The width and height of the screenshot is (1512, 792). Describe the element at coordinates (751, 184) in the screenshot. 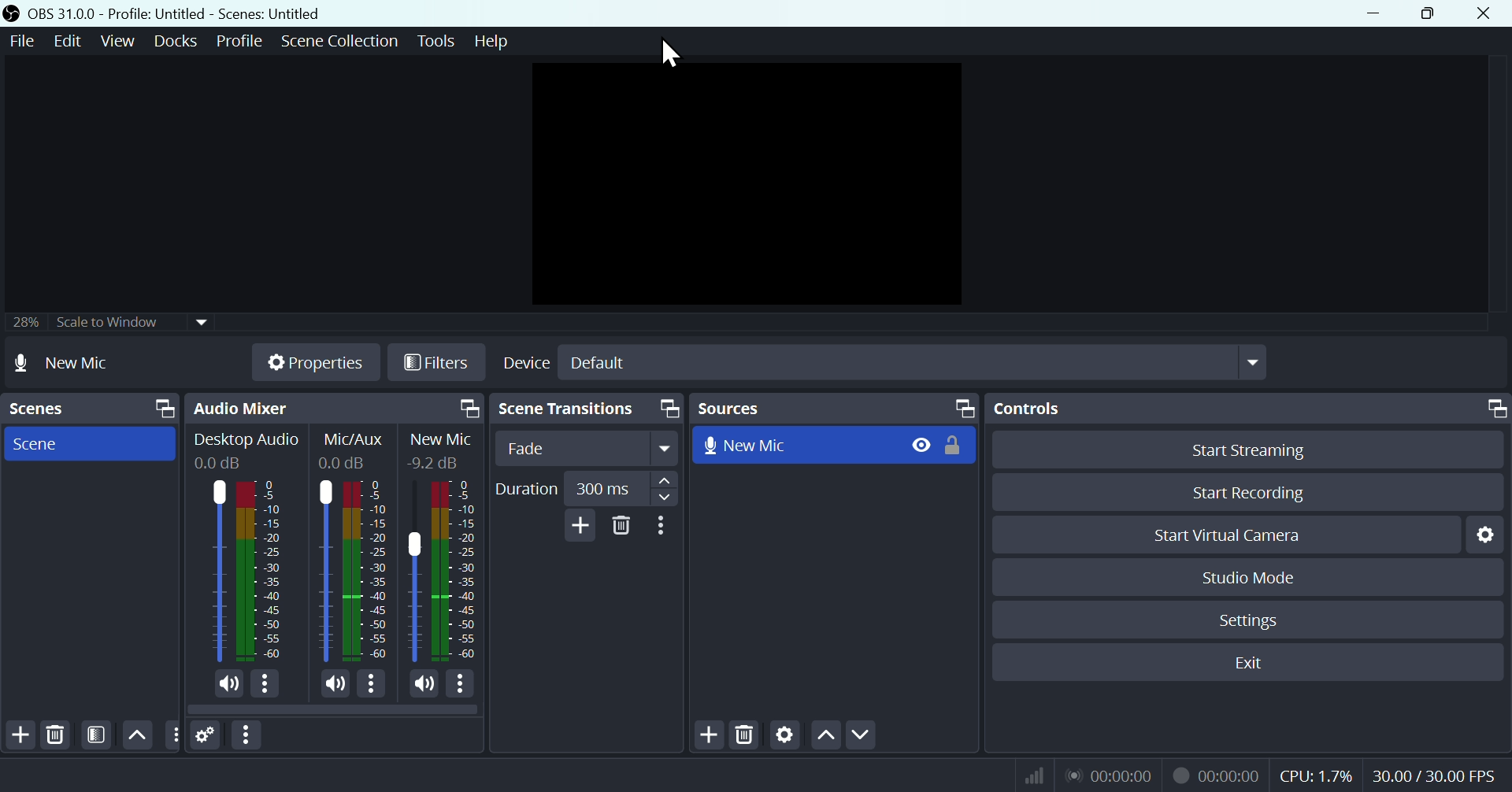

I see `Preview window` at that location.